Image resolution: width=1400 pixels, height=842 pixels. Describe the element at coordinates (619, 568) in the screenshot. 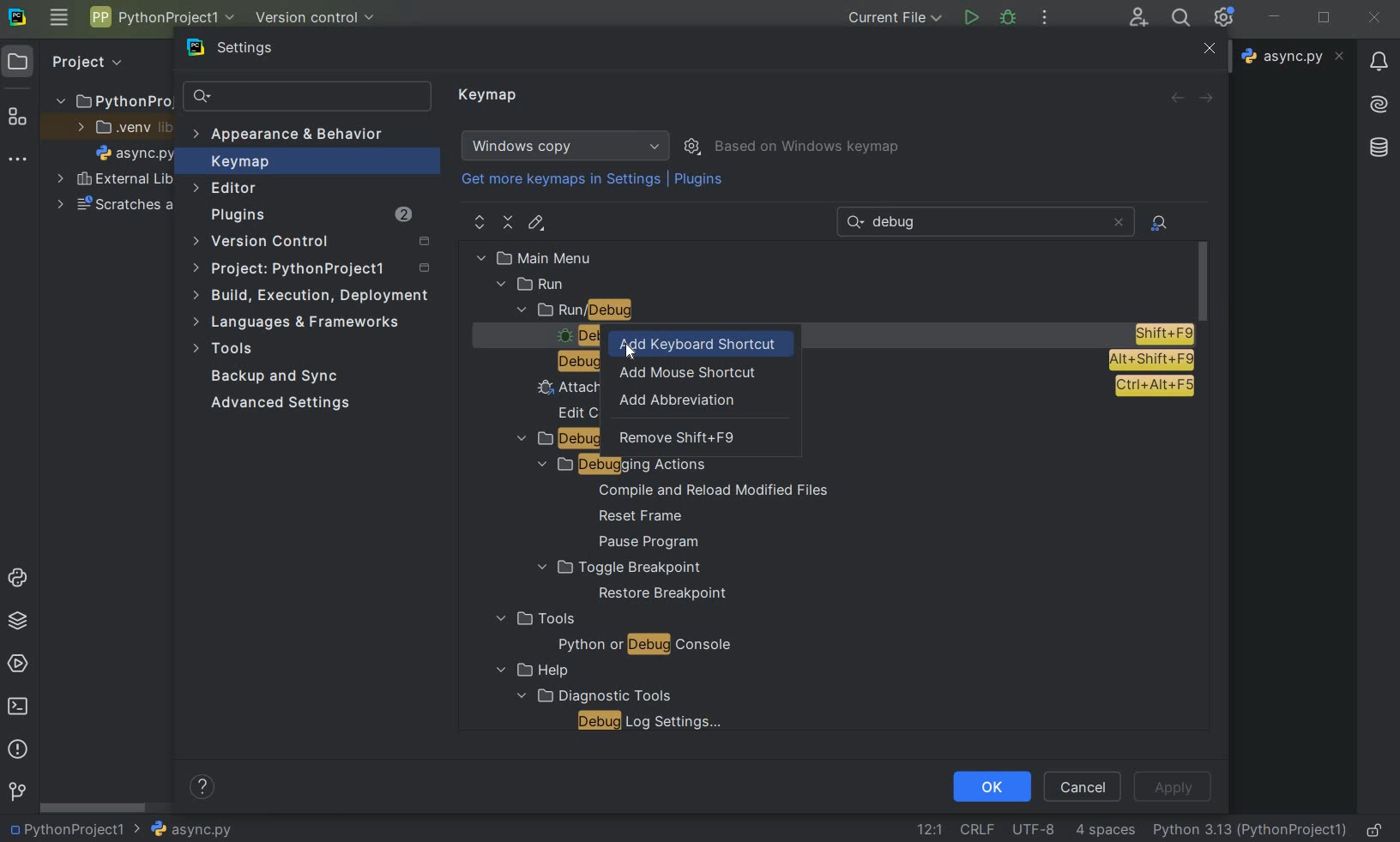

I see `toggle breakpoint` at that location.